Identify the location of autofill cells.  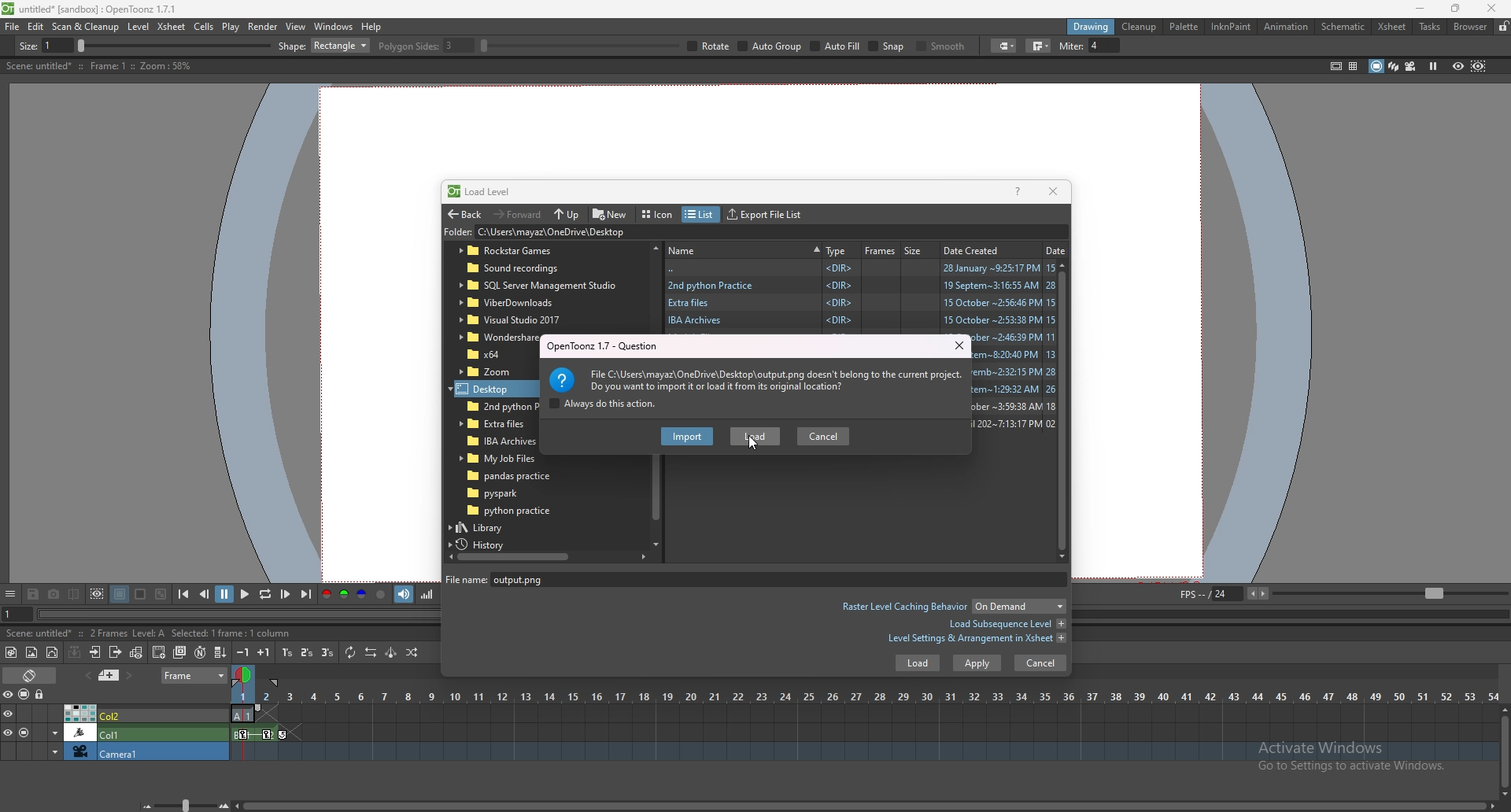
(220, 652).